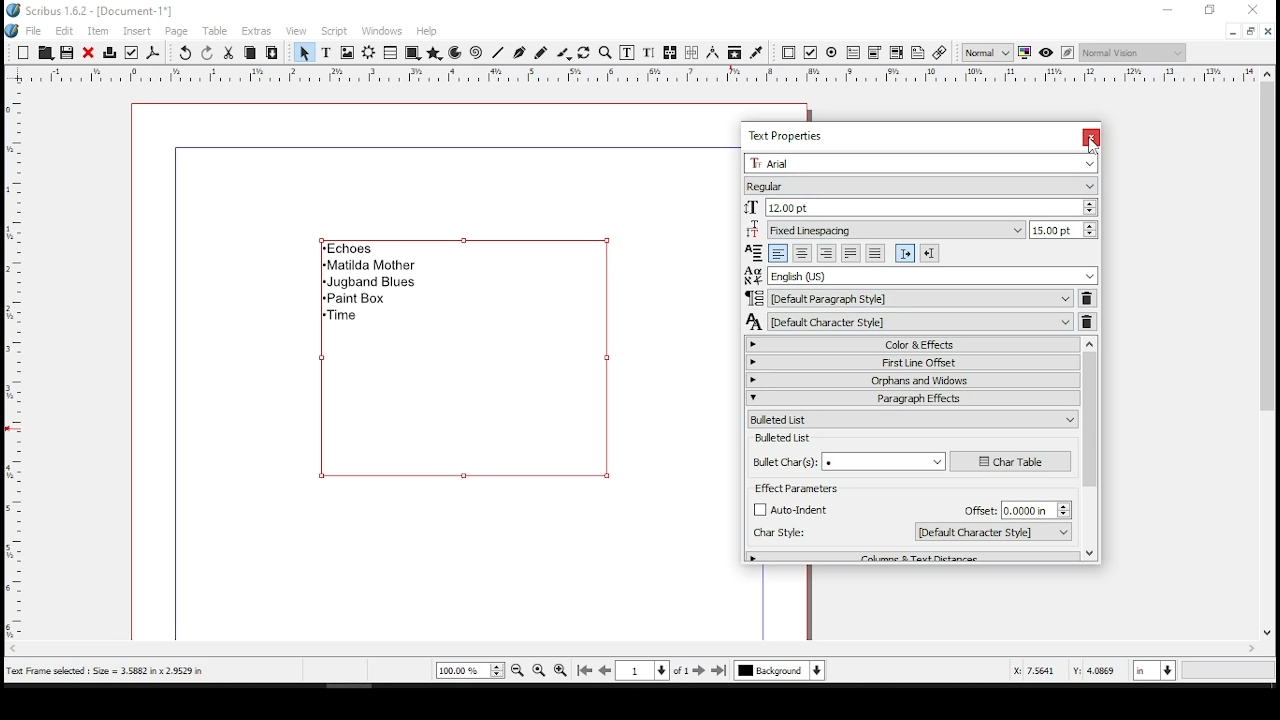  What do you see at coordinates (390, 53) in the screenshot?
I see `table` at bounding box center [390, 53].